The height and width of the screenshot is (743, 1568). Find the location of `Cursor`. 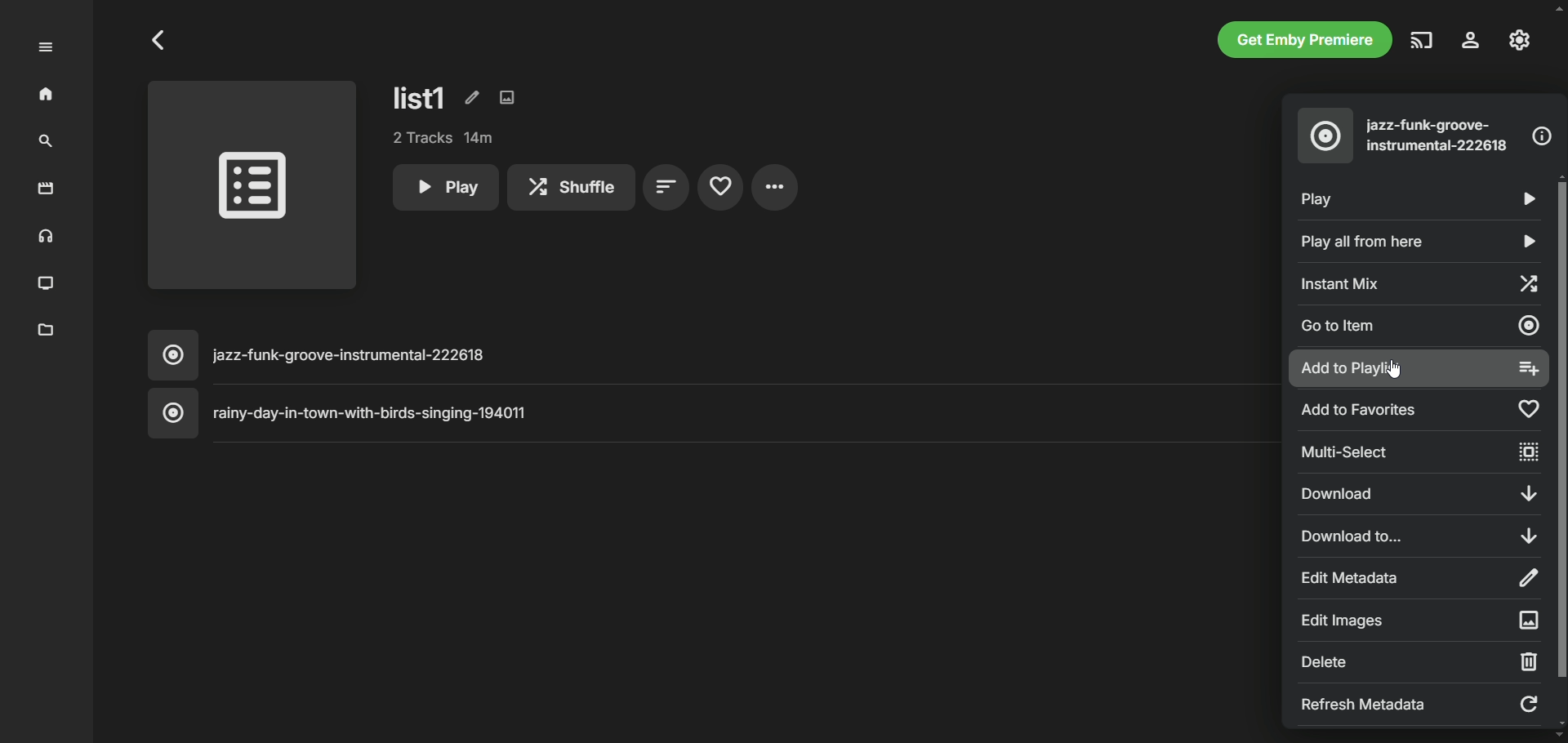

Cursor is located at coordinates (1393, 369).